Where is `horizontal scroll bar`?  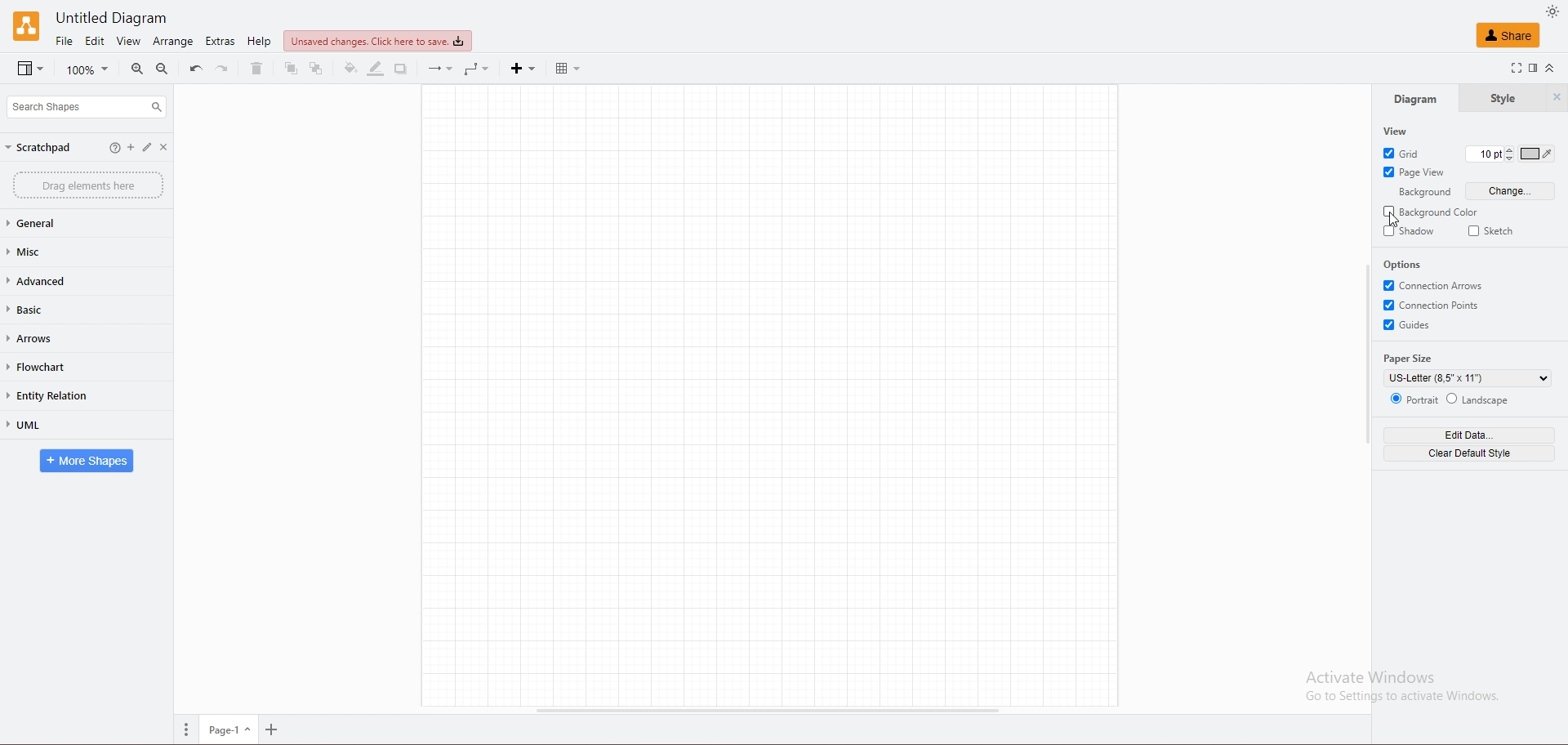
horizontal scroll bar is located at coordinates (764, 712).